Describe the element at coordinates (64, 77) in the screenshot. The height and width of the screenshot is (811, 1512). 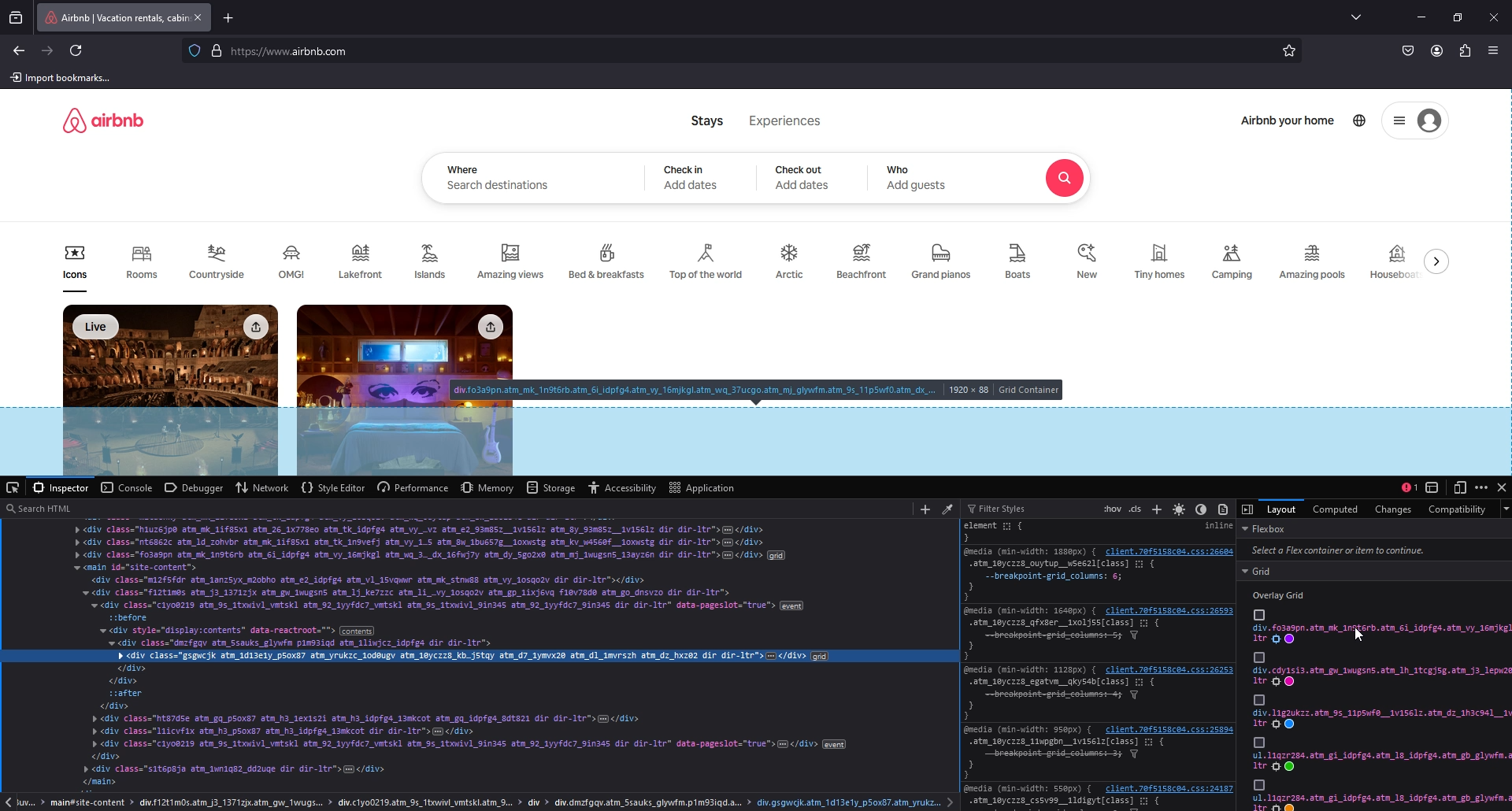
I see `import bookmarks` at that location.